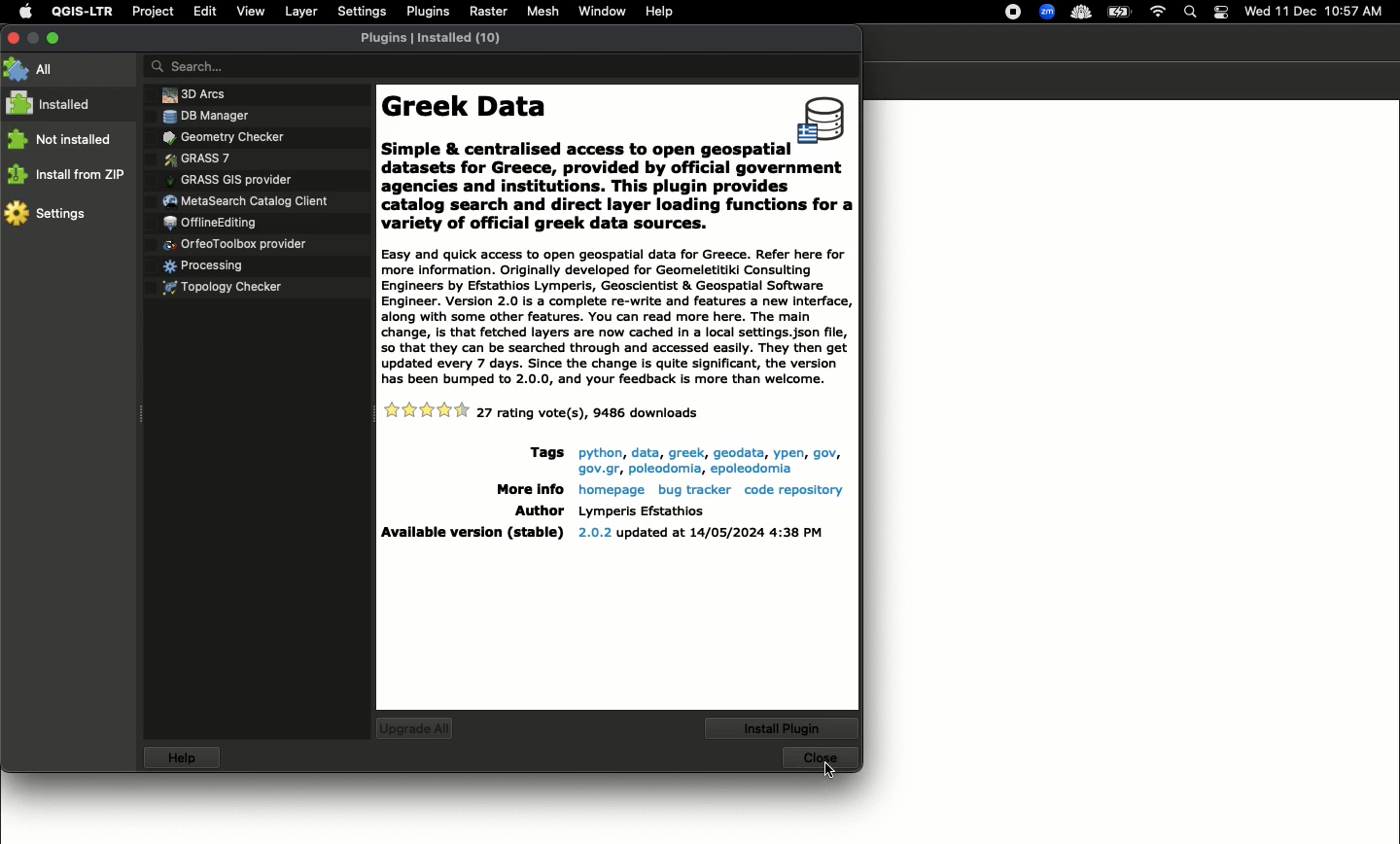 The width and height of the screenshot is (1400, 844). Describe the element at coordinates (598, 454) in the screenshot. I see `python,` at that location.